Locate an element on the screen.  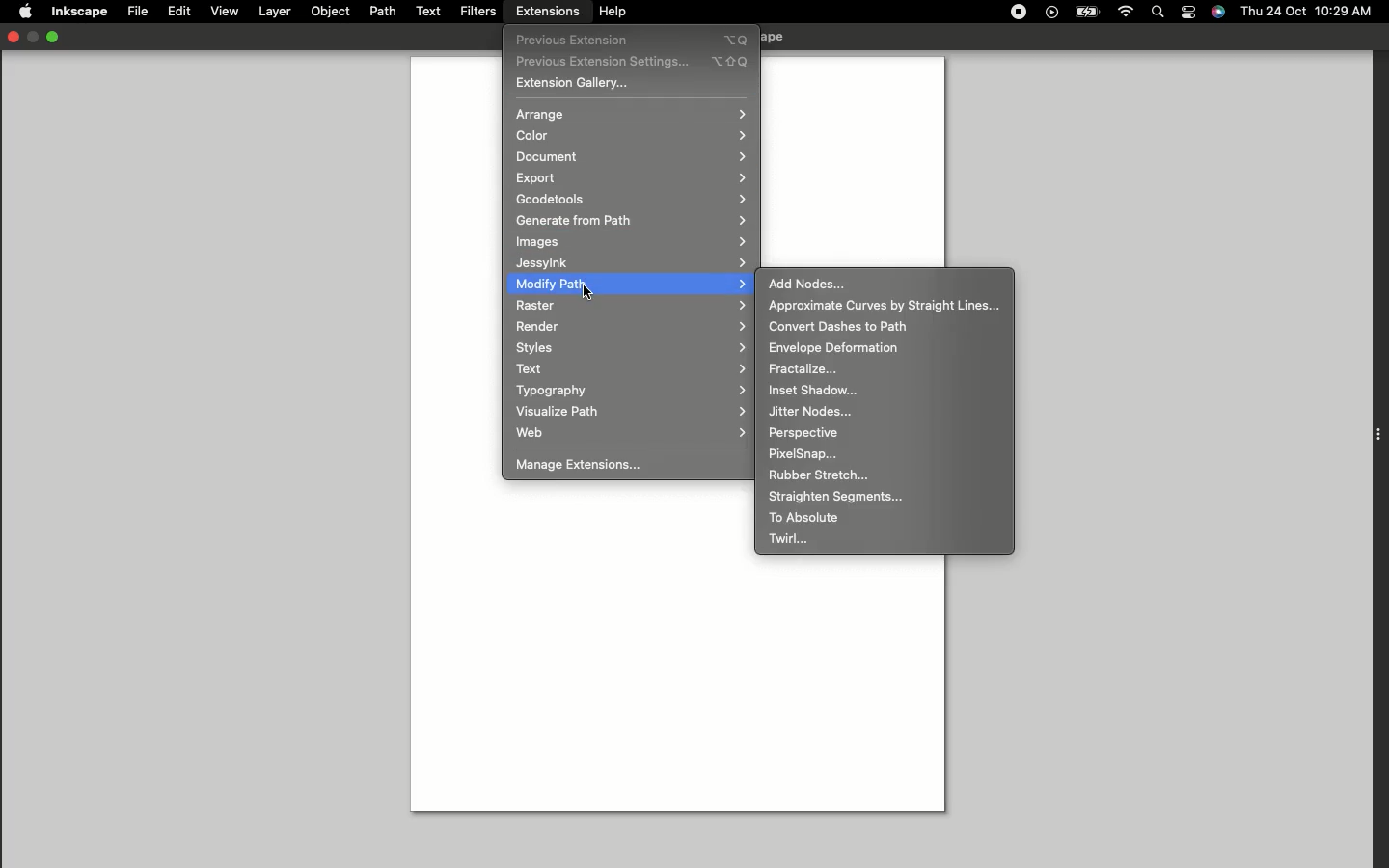
Fractalize is located at coordinates (806, 370).